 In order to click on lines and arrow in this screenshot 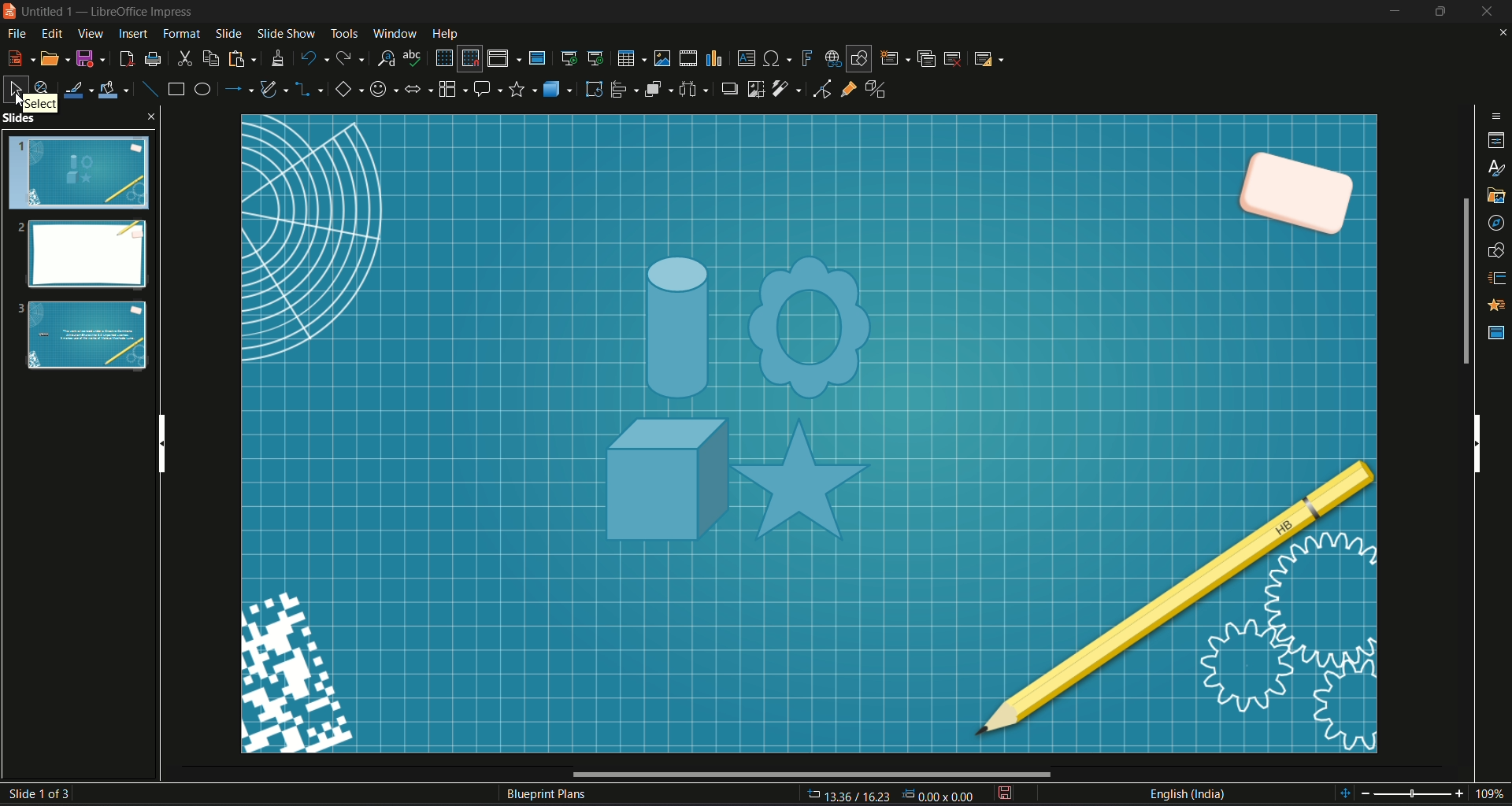, I will do `click(237, 89)`.